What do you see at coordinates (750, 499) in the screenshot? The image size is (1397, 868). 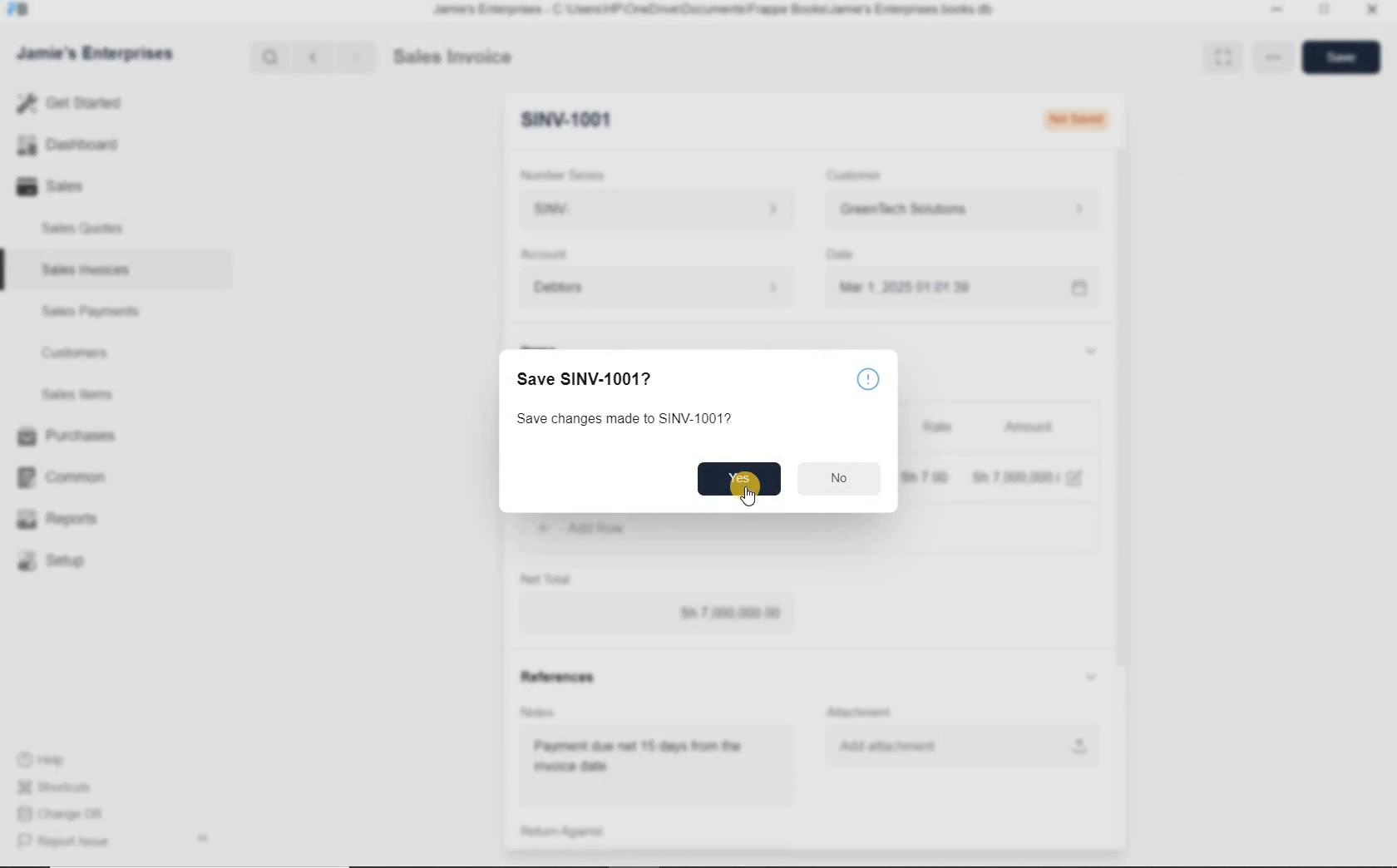 I see `cursor` at bounding box center [750, 499].